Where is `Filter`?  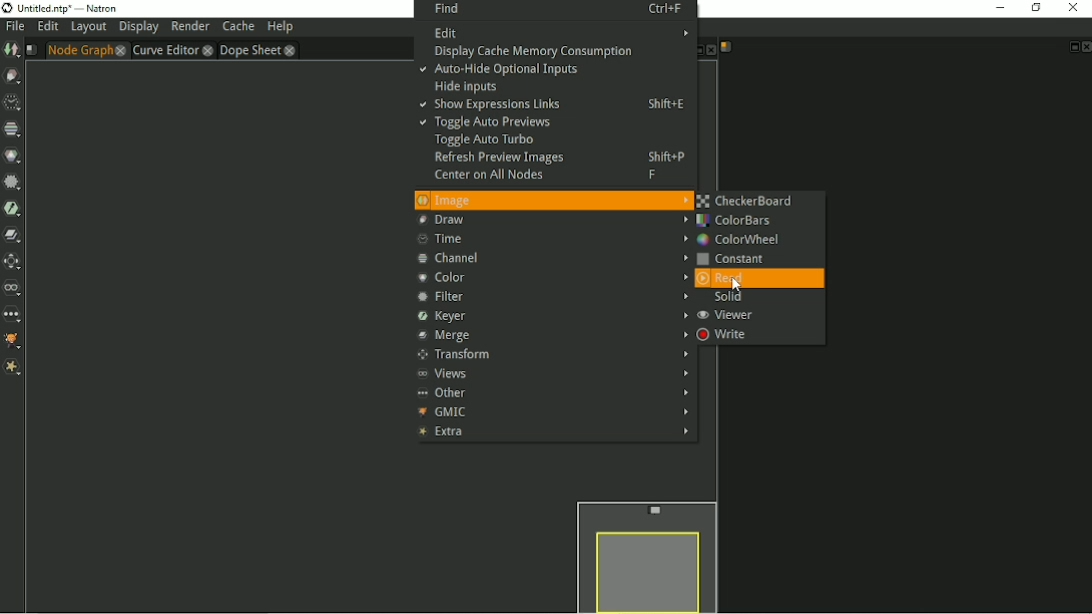
Filter is located at coordinates (12, 182).